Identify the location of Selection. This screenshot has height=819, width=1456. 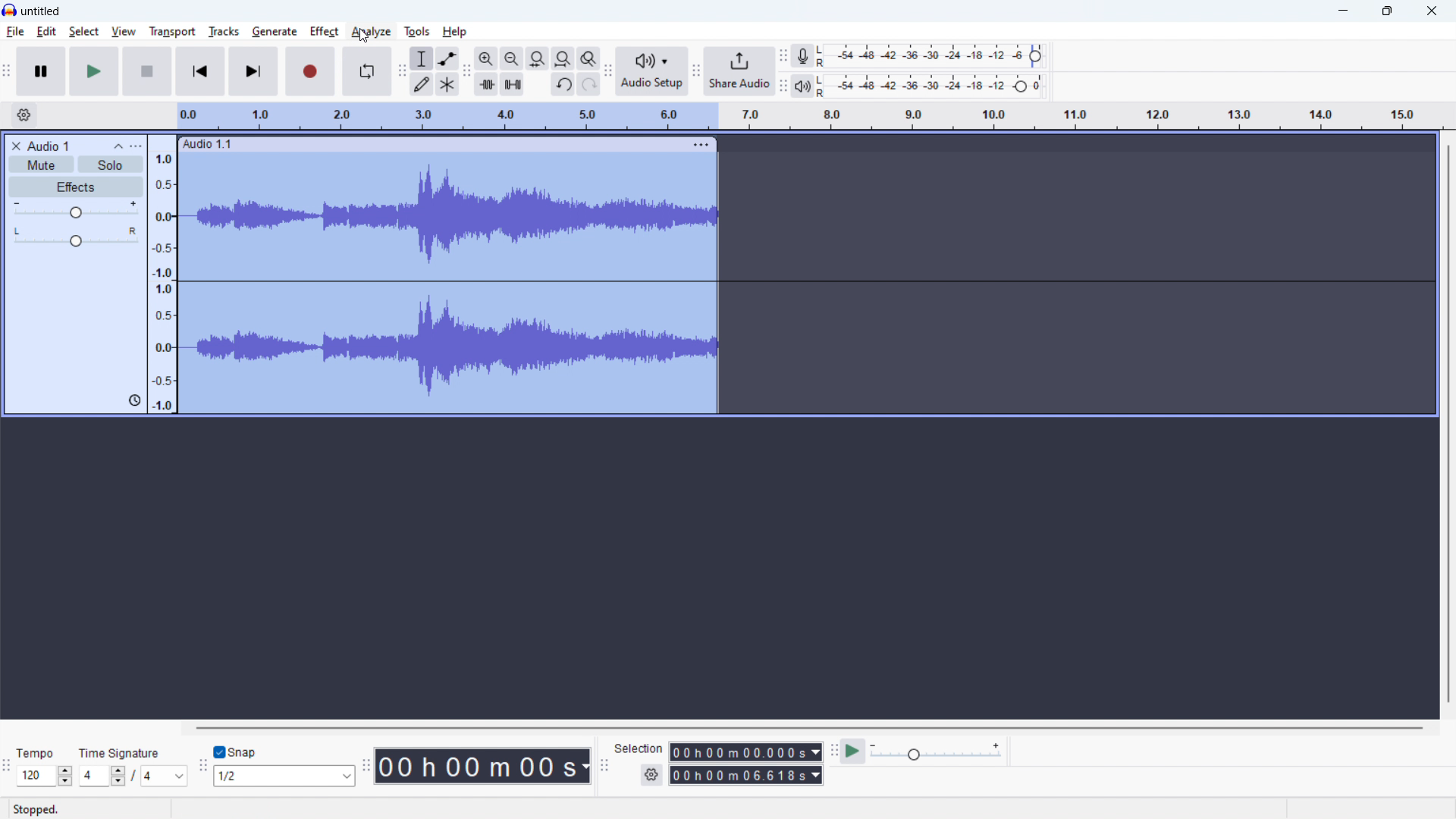
(639, 747).